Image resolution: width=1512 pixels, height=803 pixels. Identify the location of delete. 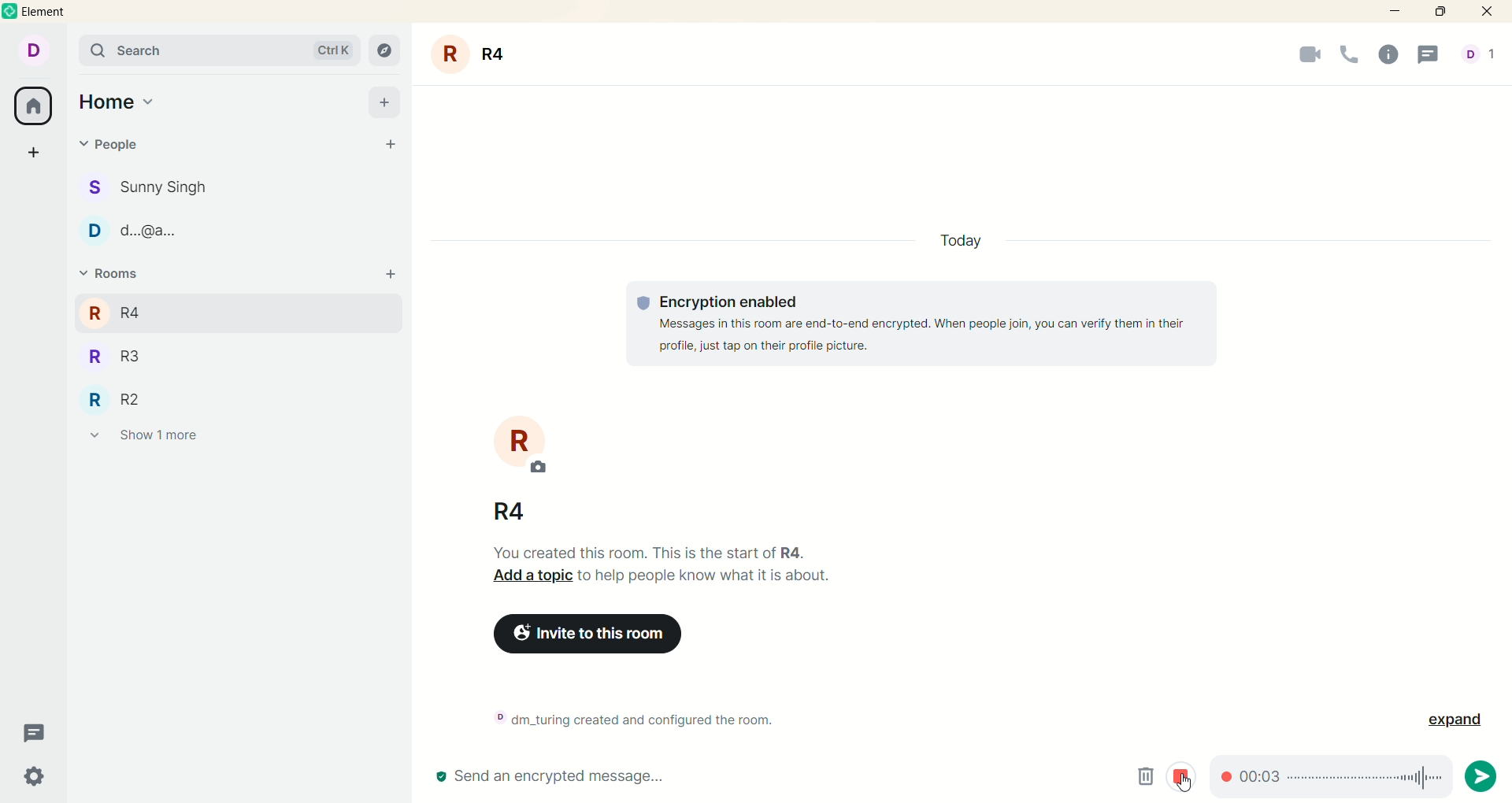
(1149, 776).